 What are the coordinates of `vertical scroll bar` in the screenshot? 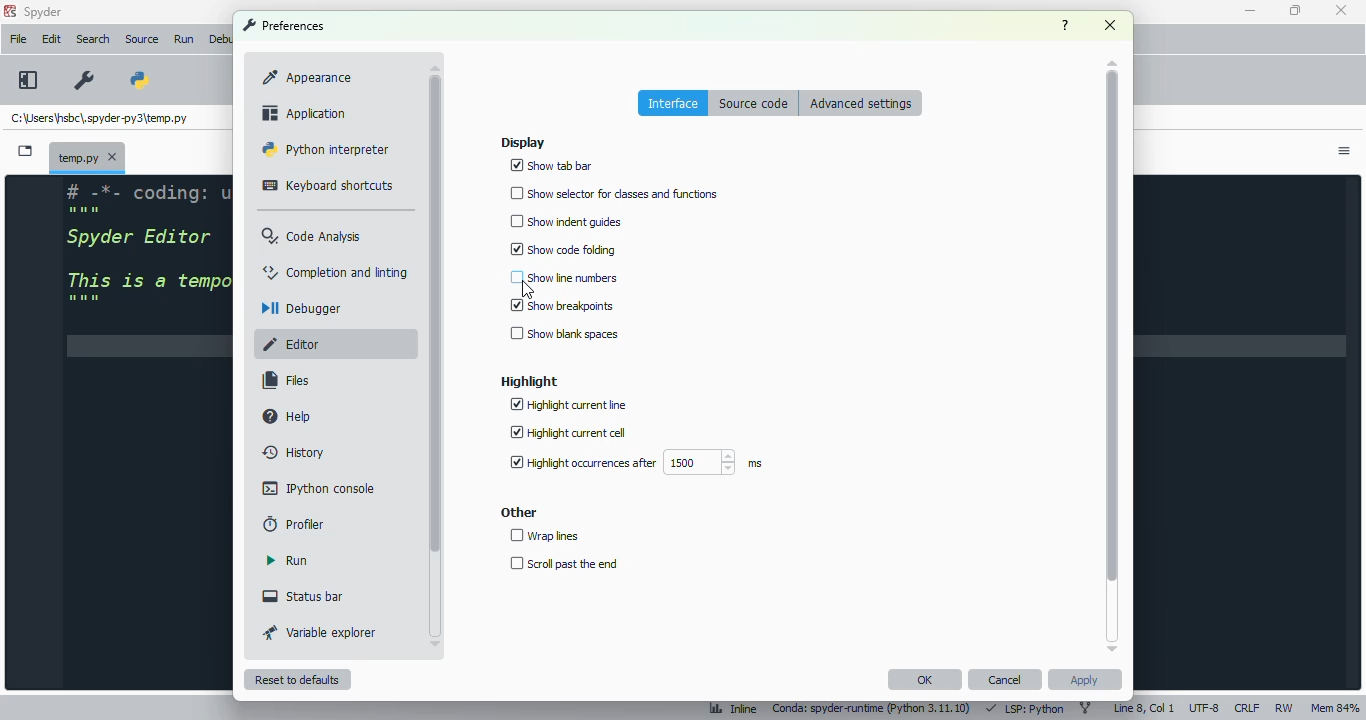 It's located at (1112, 326).